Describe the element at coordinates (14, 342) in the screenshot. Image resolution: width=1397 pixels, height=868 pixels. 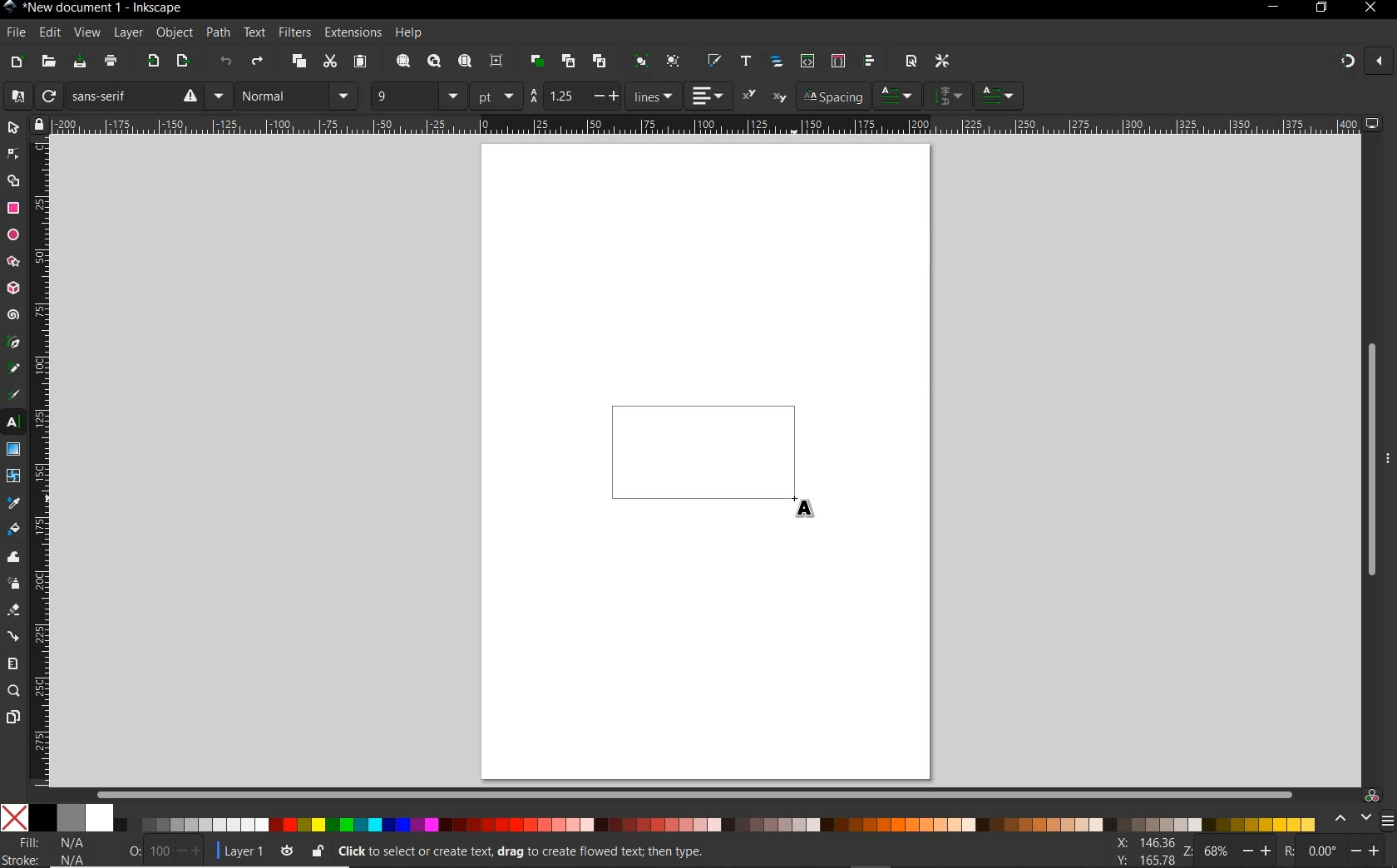
I see `pen tool` at that location.